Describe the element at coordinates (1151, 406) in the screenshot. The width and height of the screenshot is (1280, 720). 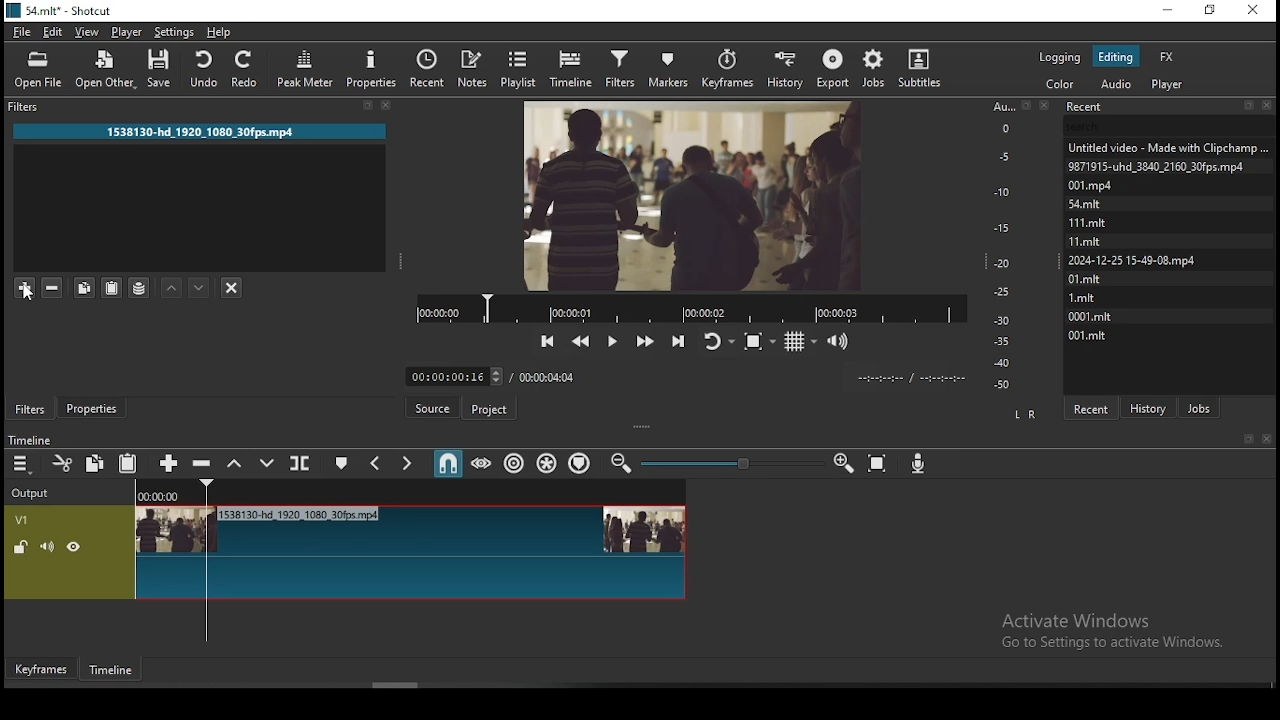
I see `history` at that location.